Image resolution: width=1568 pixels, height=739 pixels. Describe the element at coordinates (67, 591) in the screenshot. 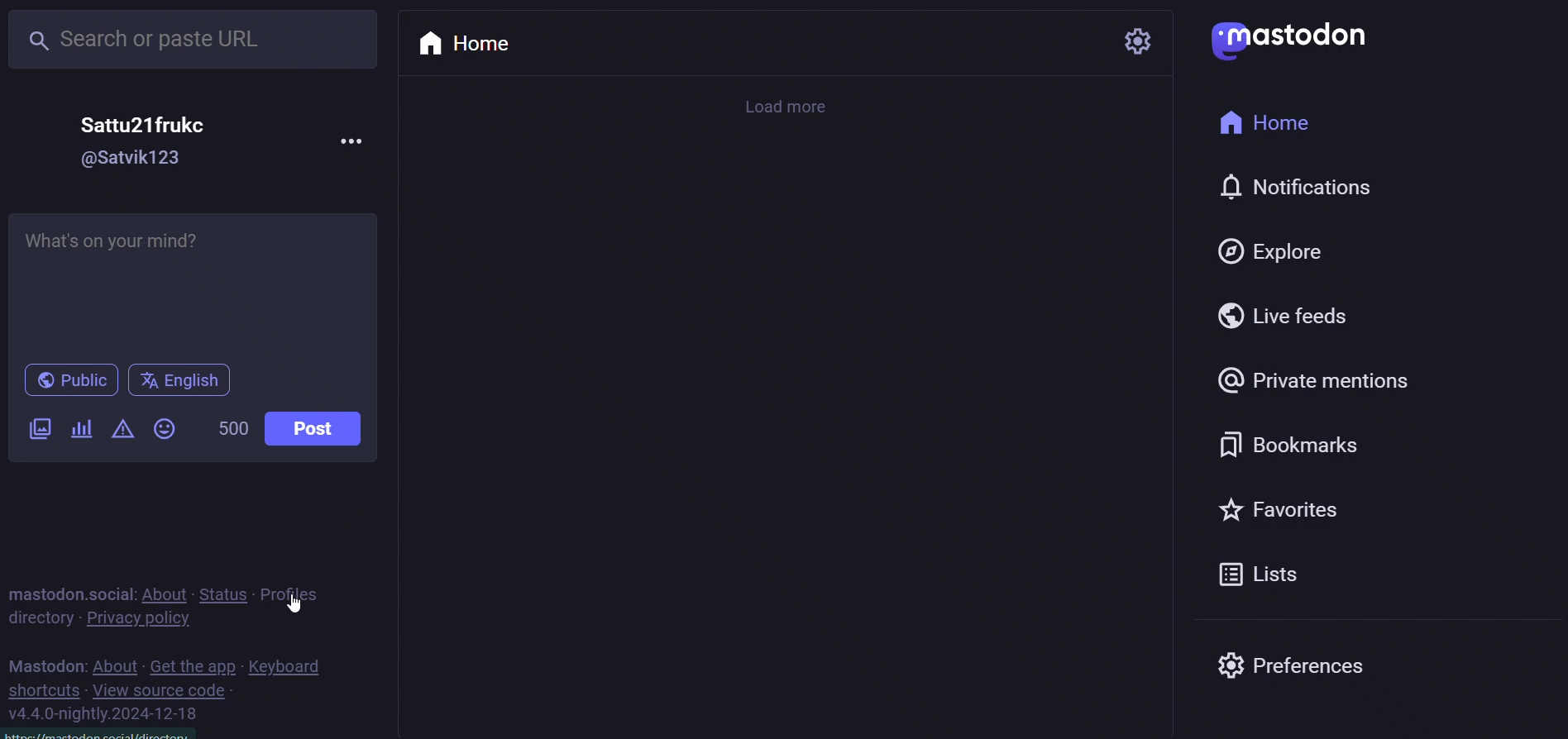

I see `mastodon social` at that location.